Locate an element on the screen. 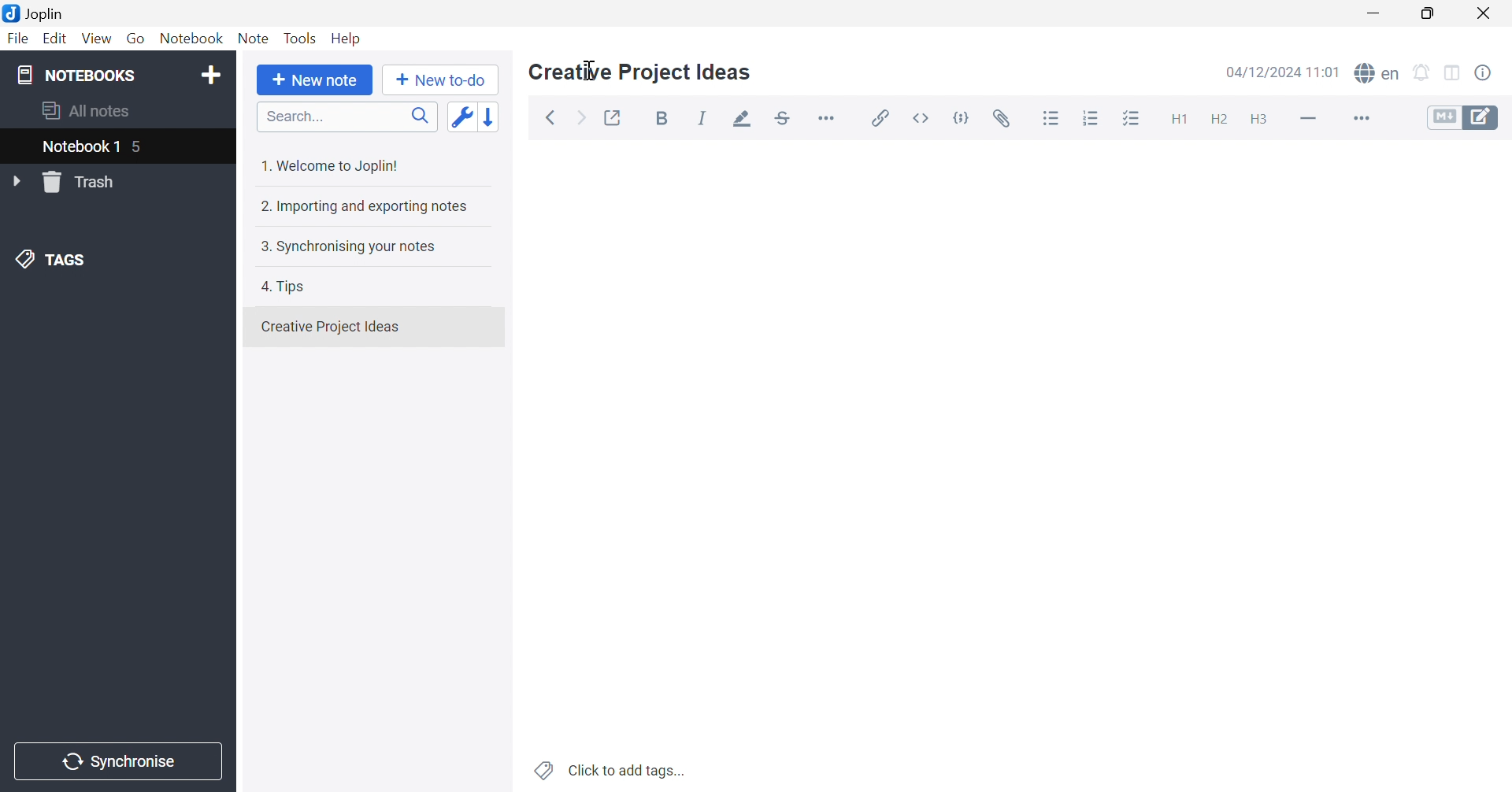 This screenshot has height=792, width=1512. Drop Down is located at coordinates (20, 182).